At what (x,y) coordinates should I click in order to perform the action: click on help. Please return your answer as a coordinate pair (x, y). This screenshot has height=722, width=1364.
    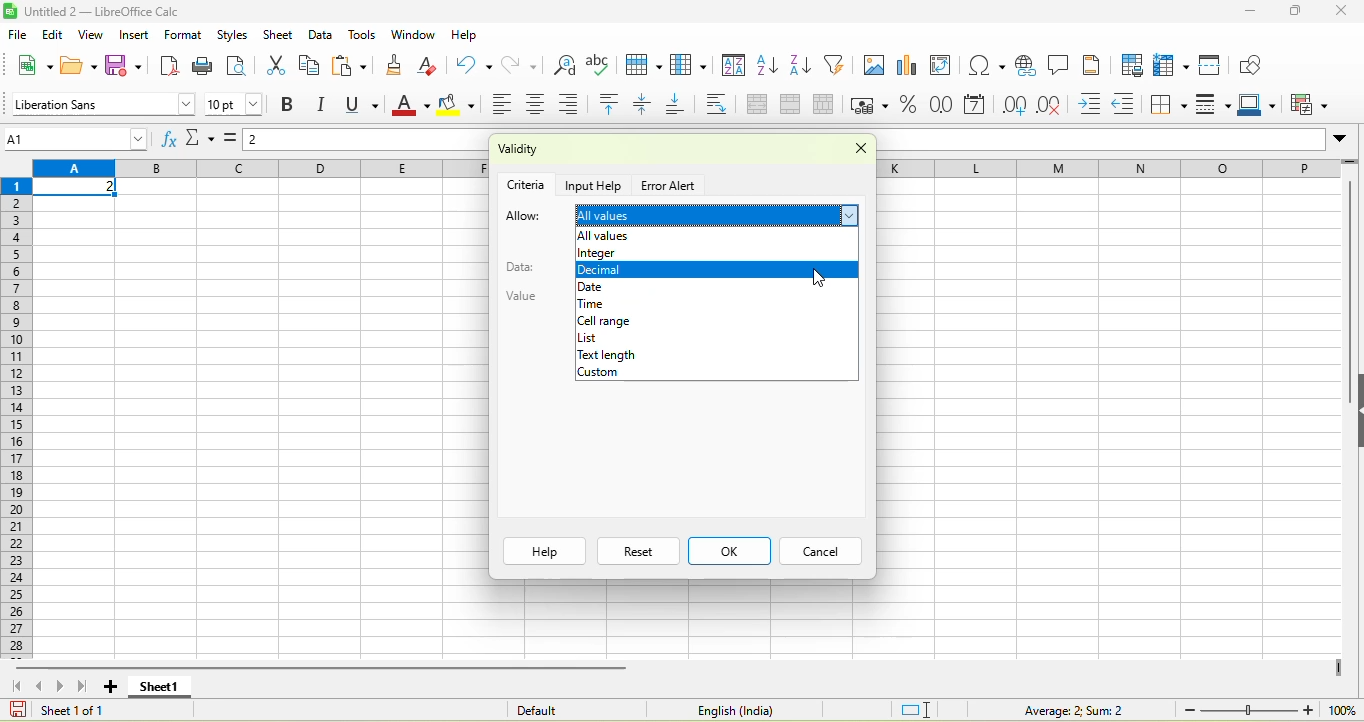
    Looking at the image, I should click on (464, 34).